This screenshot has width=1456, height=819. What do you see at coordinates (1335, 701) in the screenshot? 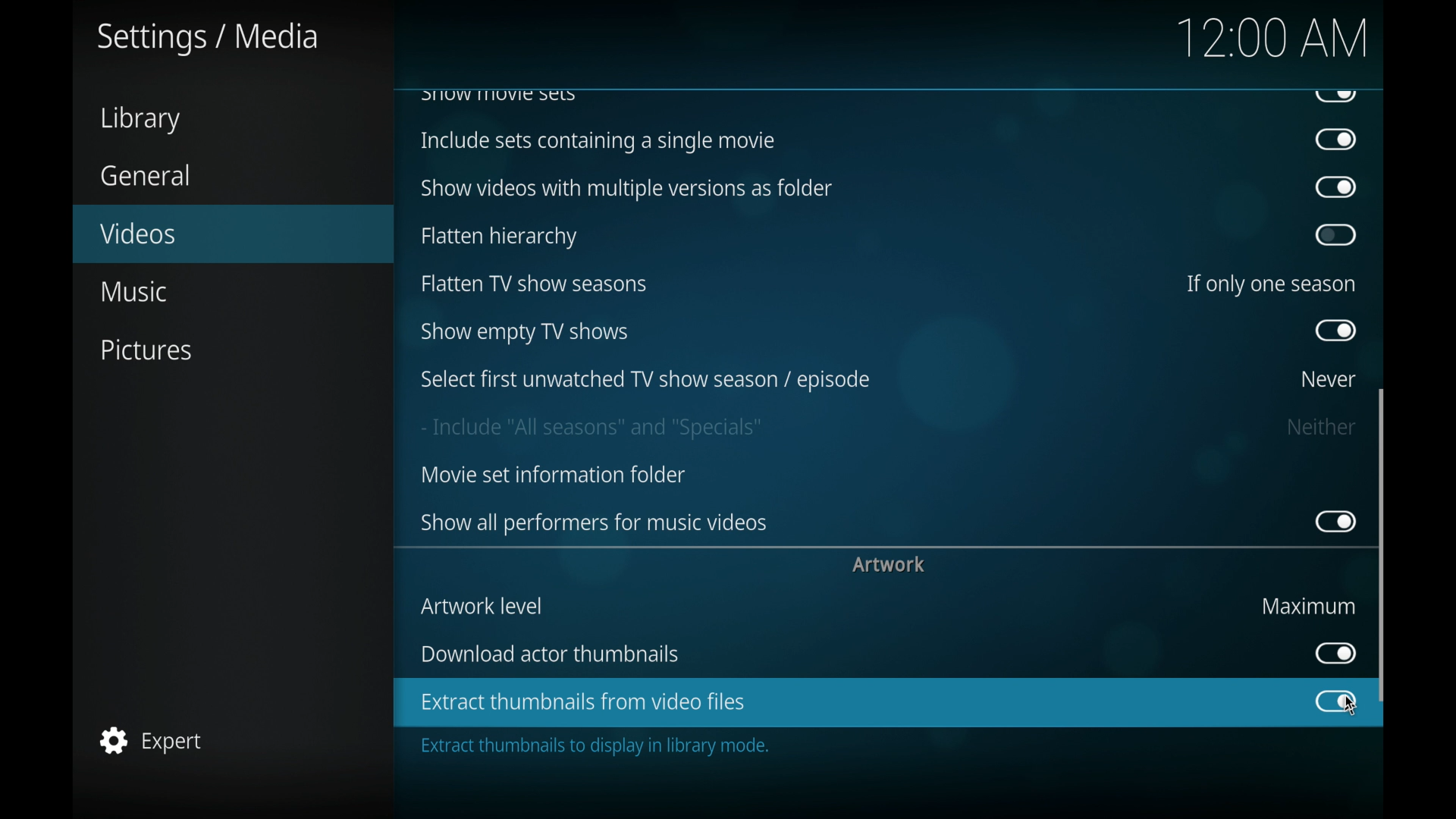
I see `toggle button` at bounding box center [1335, 701].